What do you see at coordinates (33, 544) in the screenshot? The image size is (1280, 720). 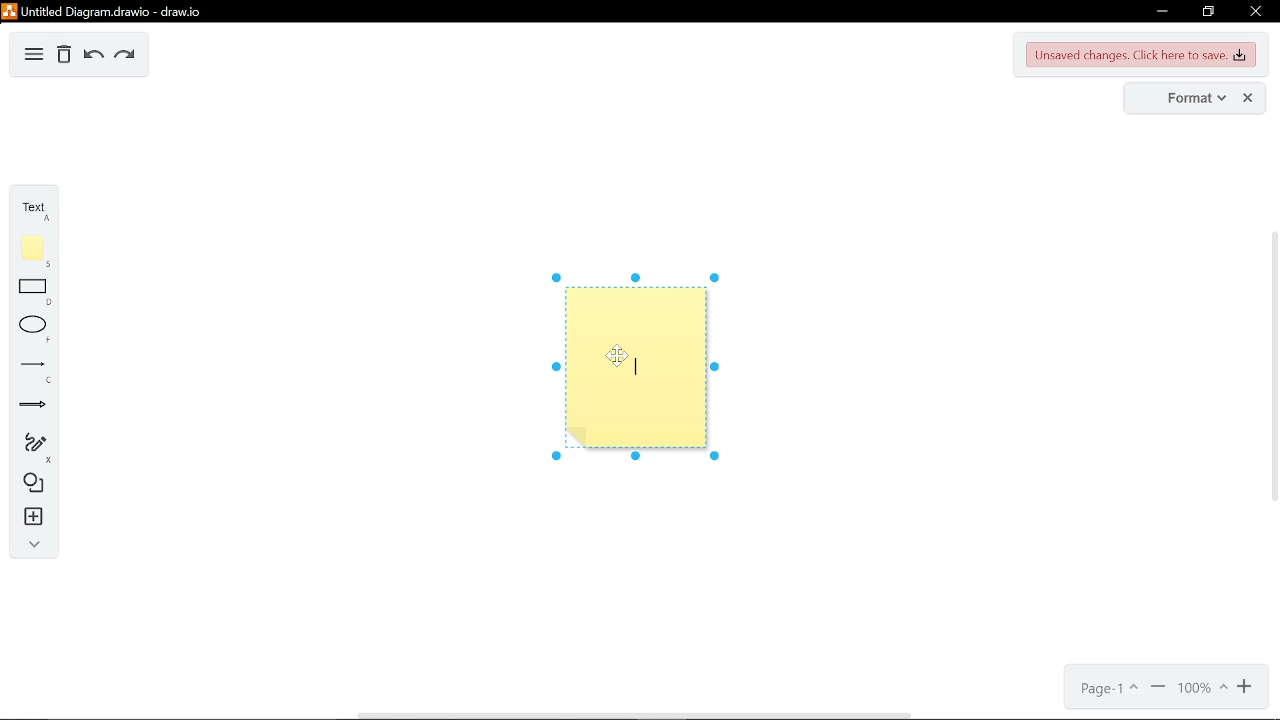 I see `collapse` at bounding box center [33, 544].